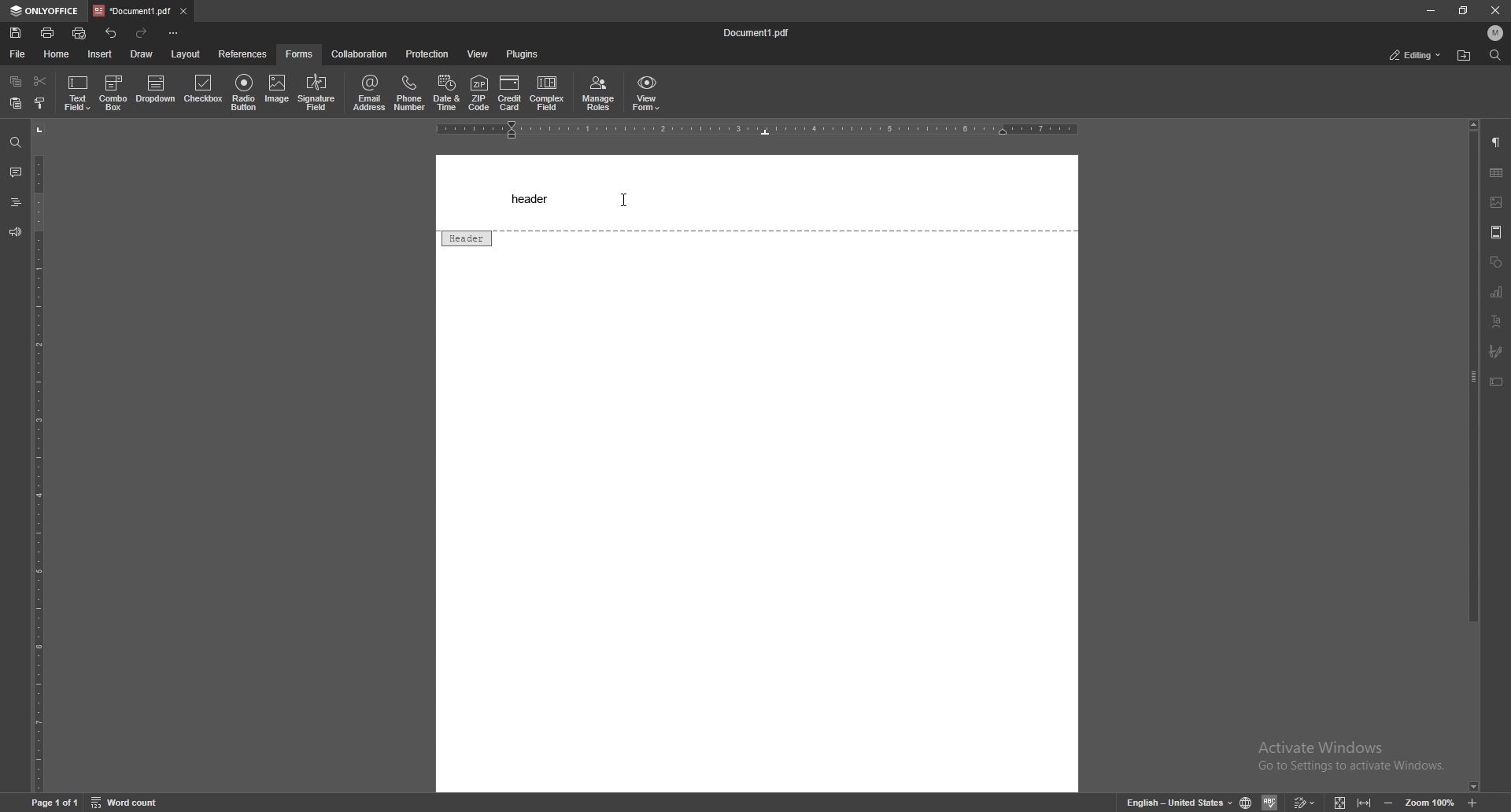 This screenshot has width=1511, height=812. What do you see at coordinates (1431, 9) in the screenshot?
I see `minimize` at bounding box center [1431, 9].